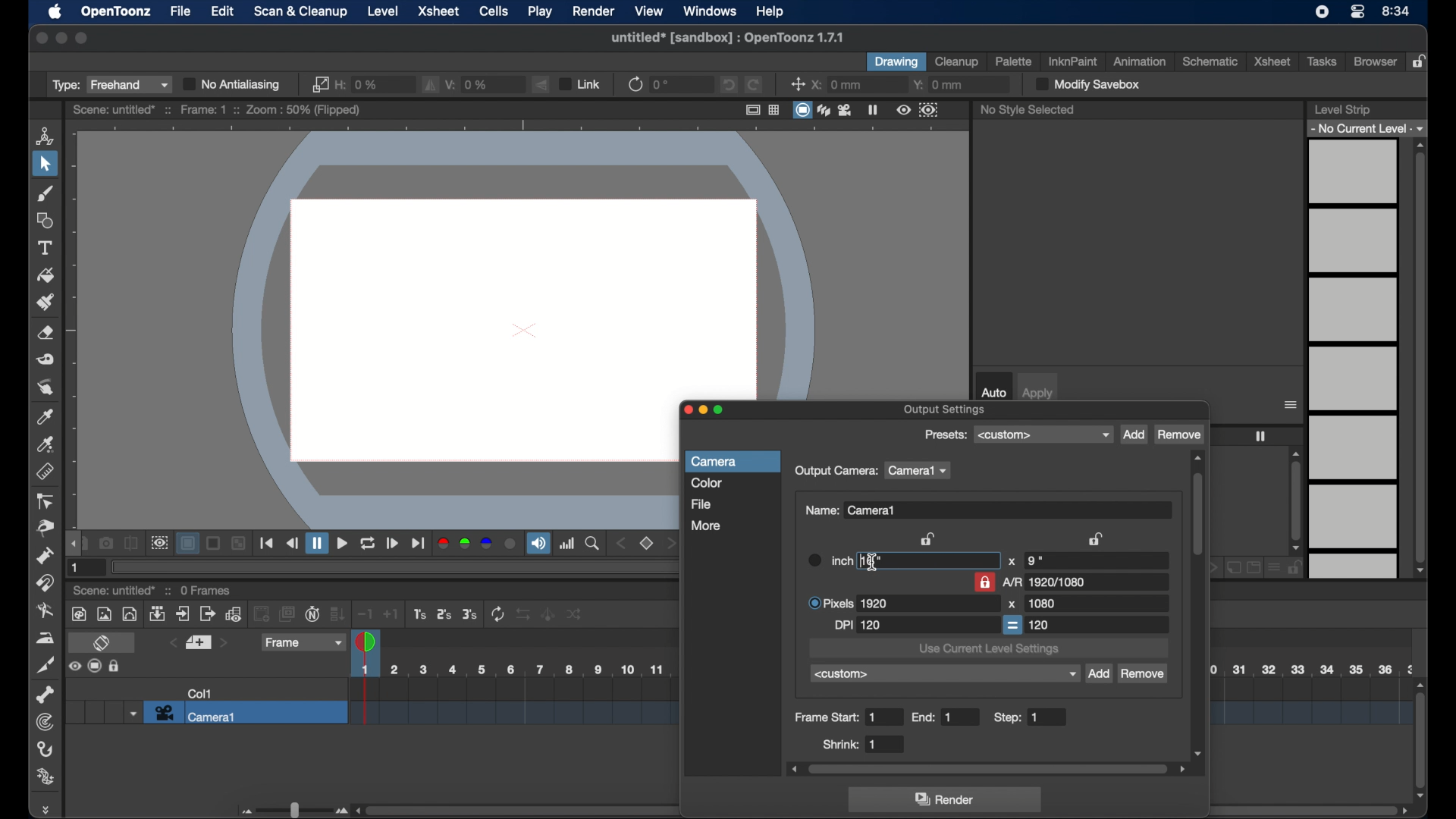 This screenshot has height=819, width=1456. Describe the element at coordinates (722, 411) in the screenshot. I see `maximize` at that location.